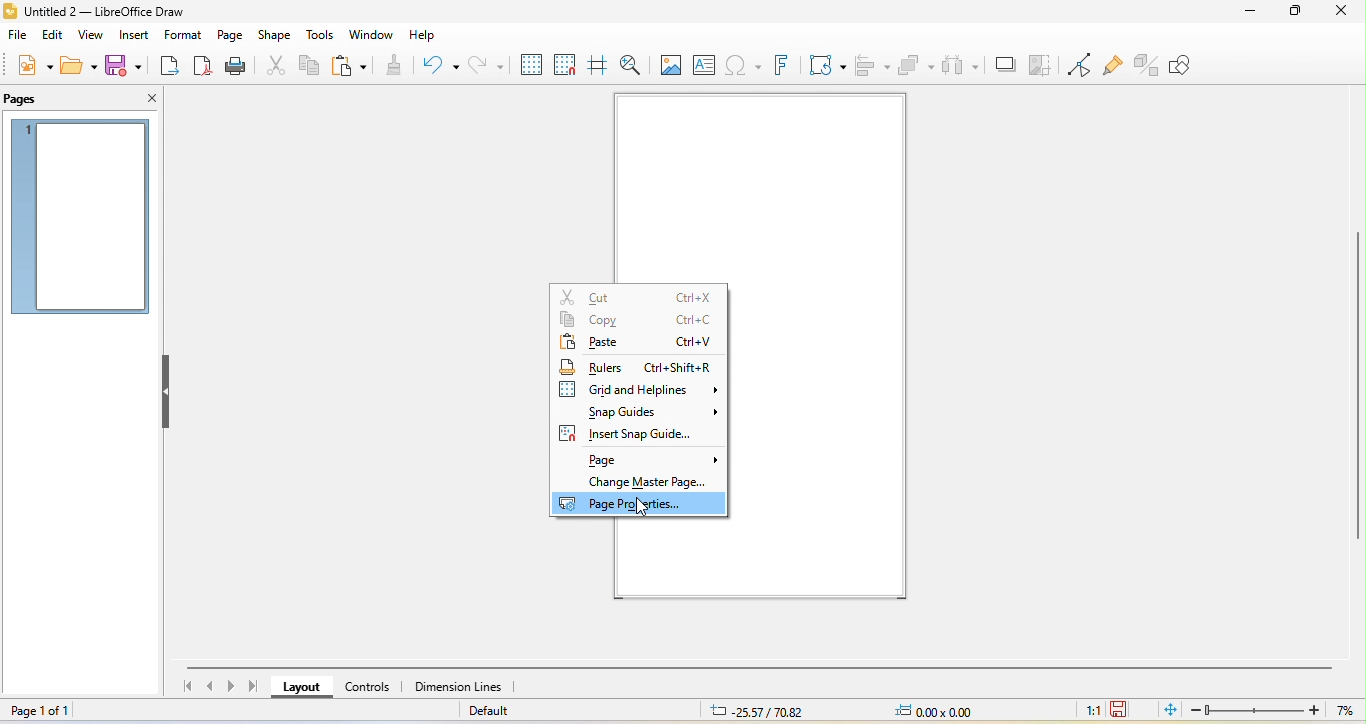  Describe the element at coordinates (645, 509) in the screenshot. I see `cursor` at that location.